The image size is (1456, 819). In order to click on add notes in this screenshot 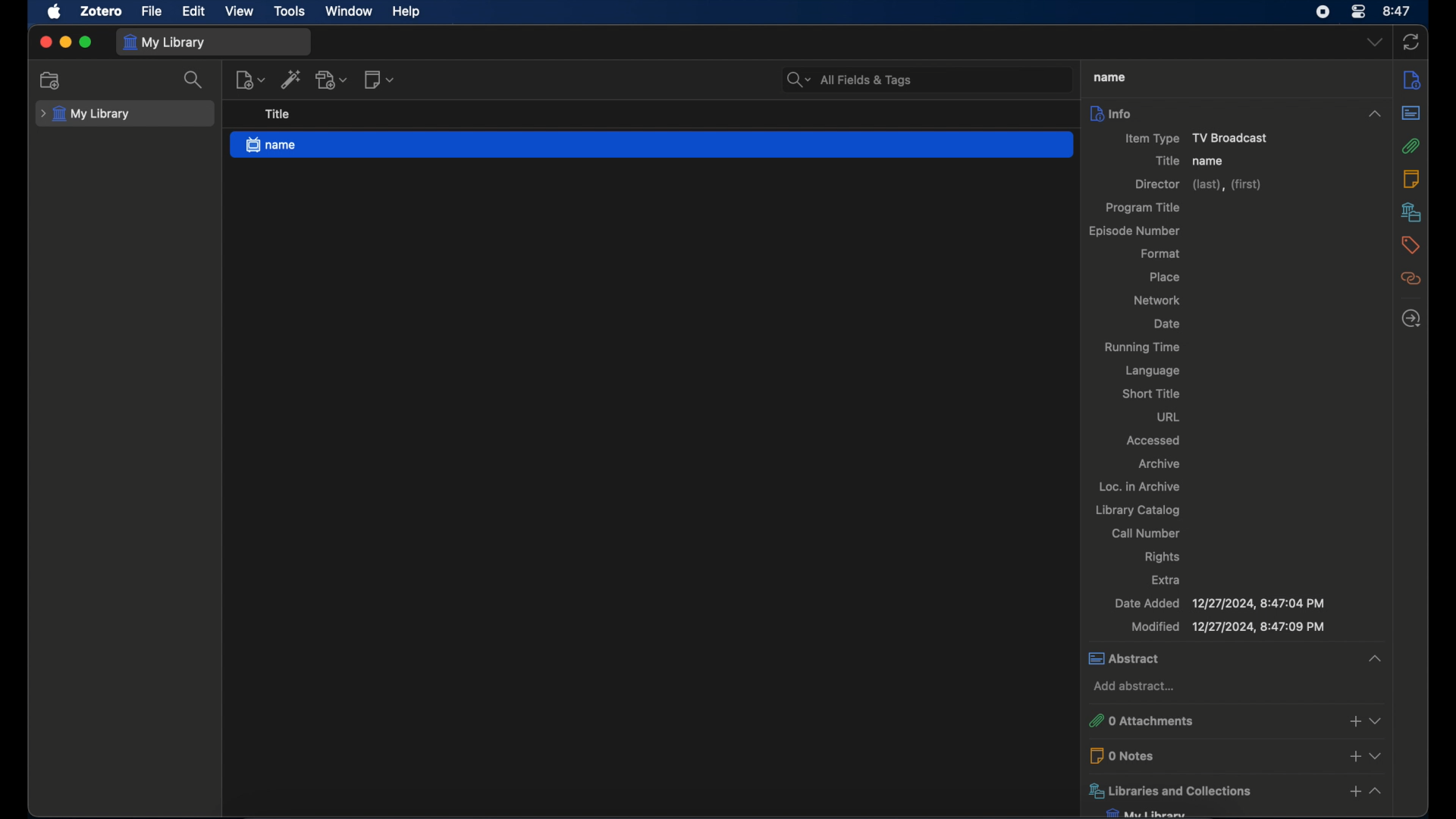, I will do `click(1353, 755)`.